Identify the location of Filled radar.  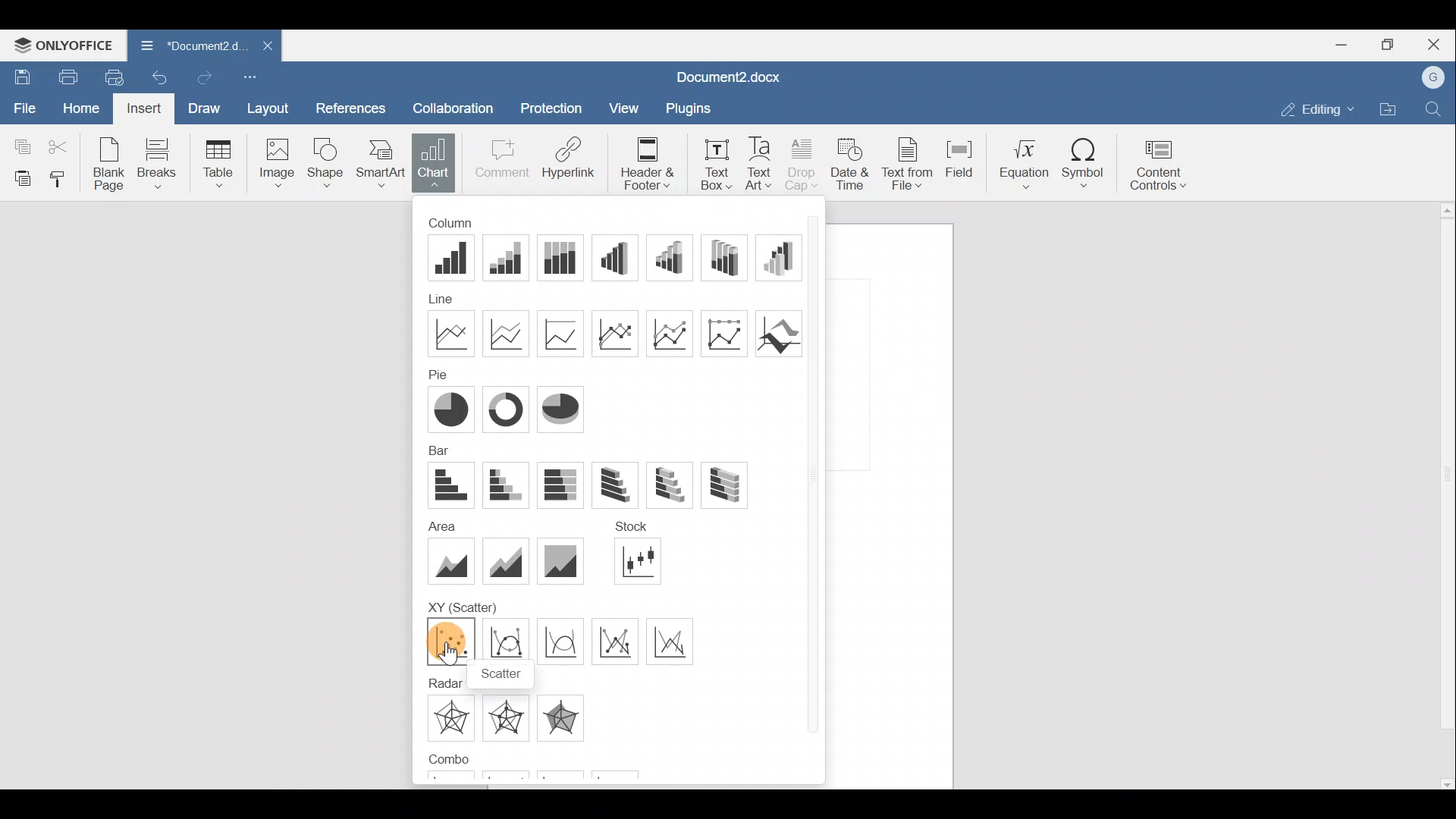
(566, 715).